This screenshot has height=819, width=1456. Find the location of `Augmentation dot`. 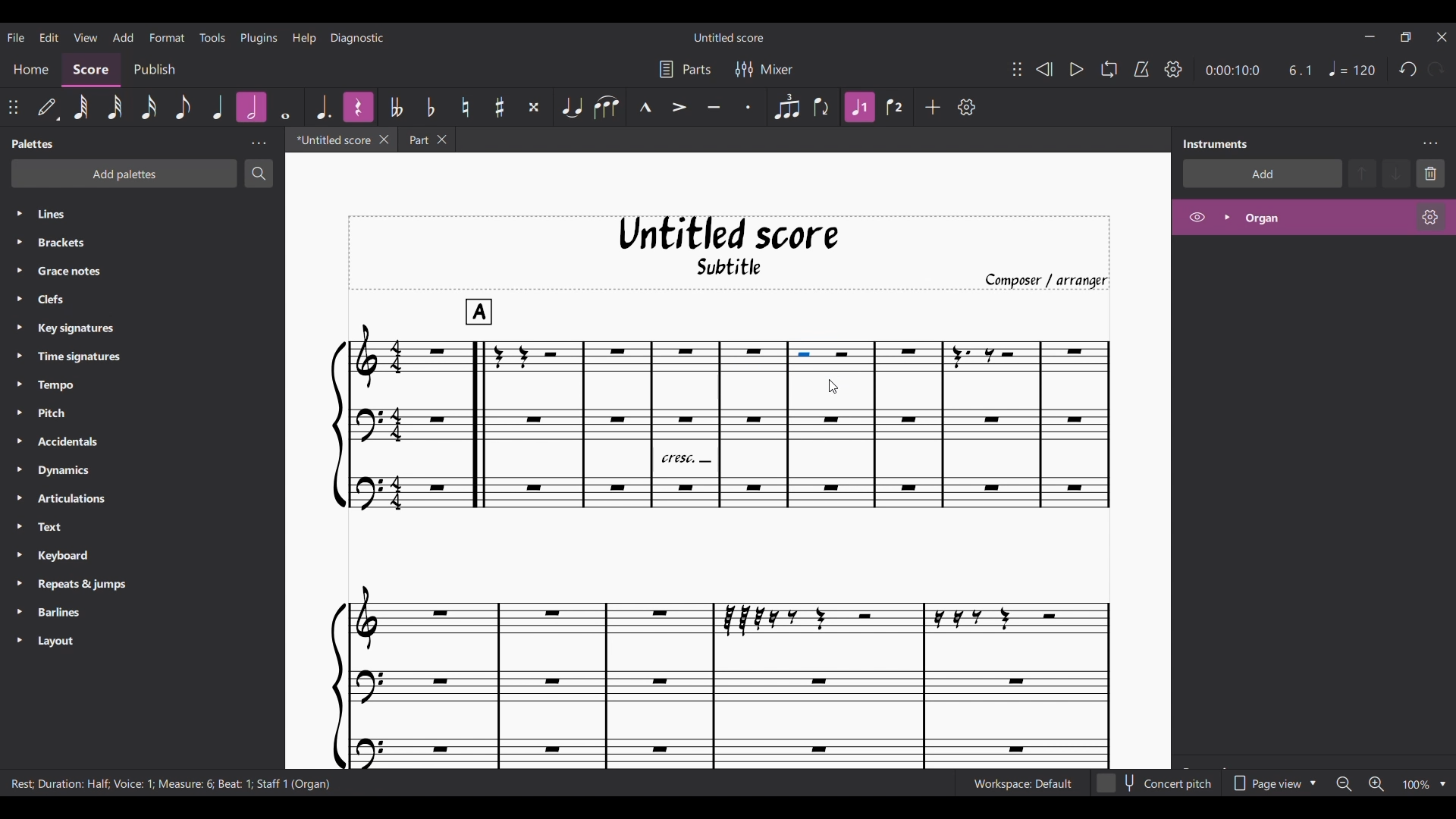

Augmentation dot is located at coordinates (323, 106).